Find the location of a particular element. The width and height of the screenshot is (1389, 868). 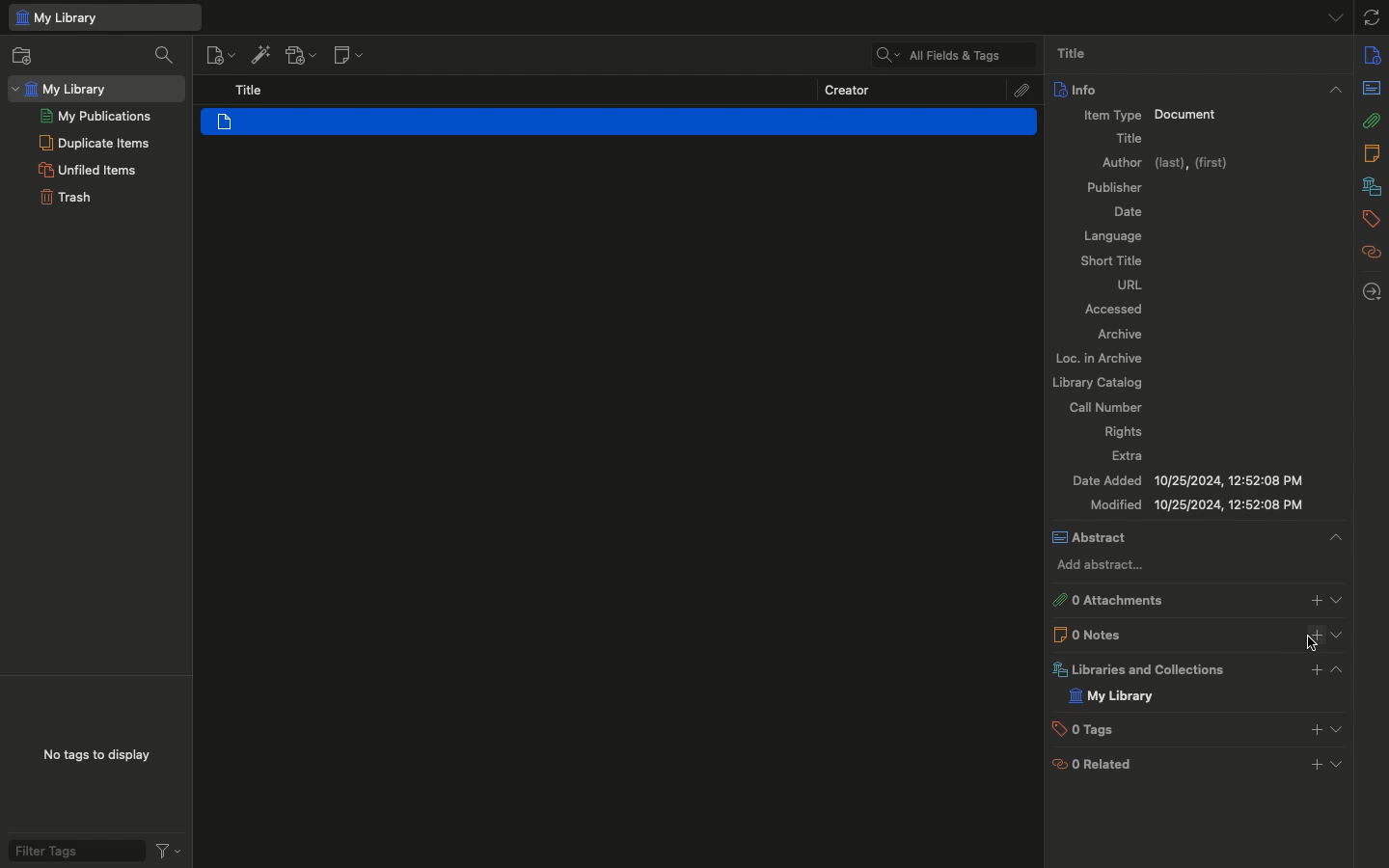

Trash is located at coordinates (65, 198).